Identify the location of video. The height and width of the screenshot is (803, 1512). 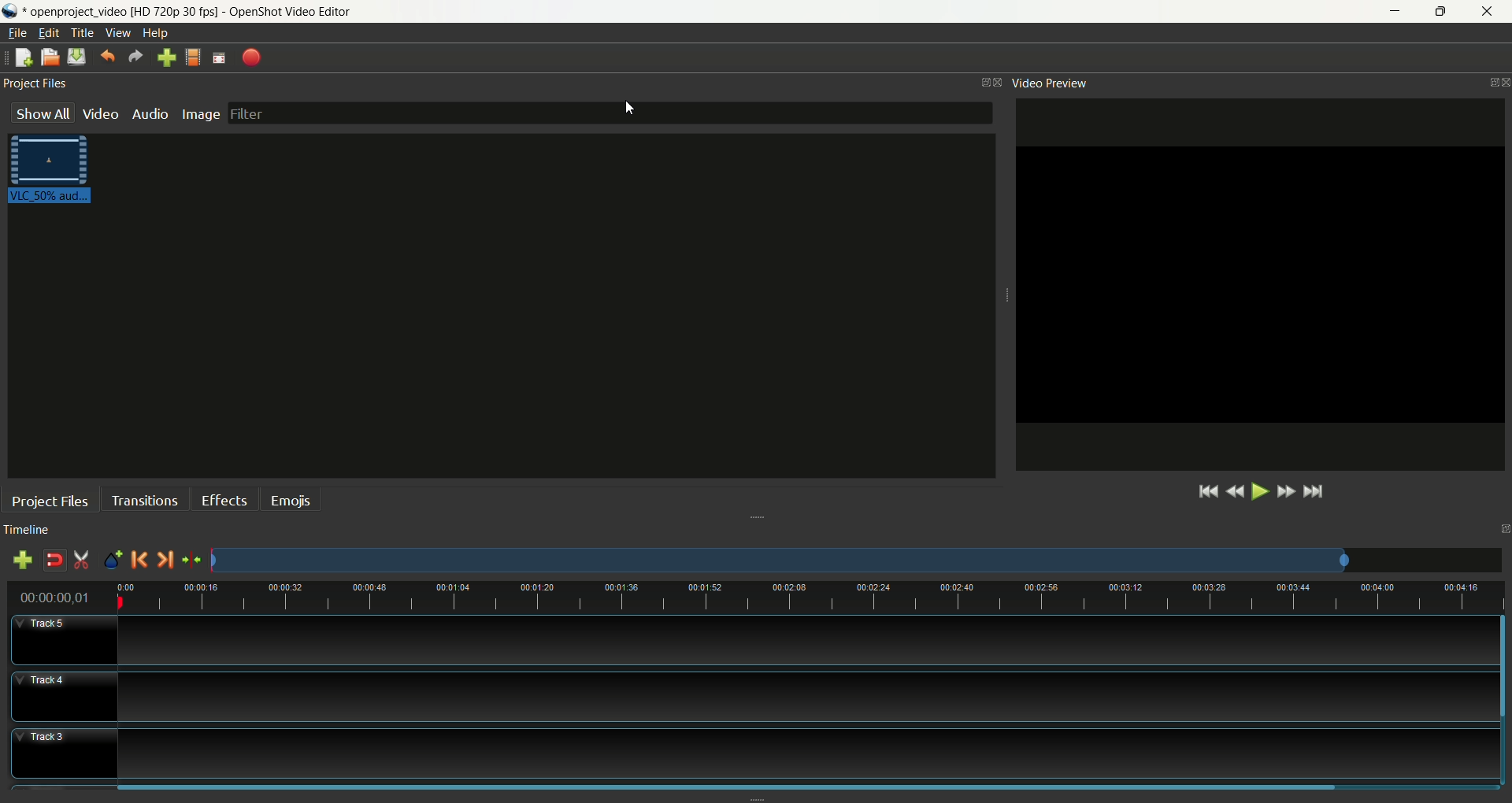
(101, 114).